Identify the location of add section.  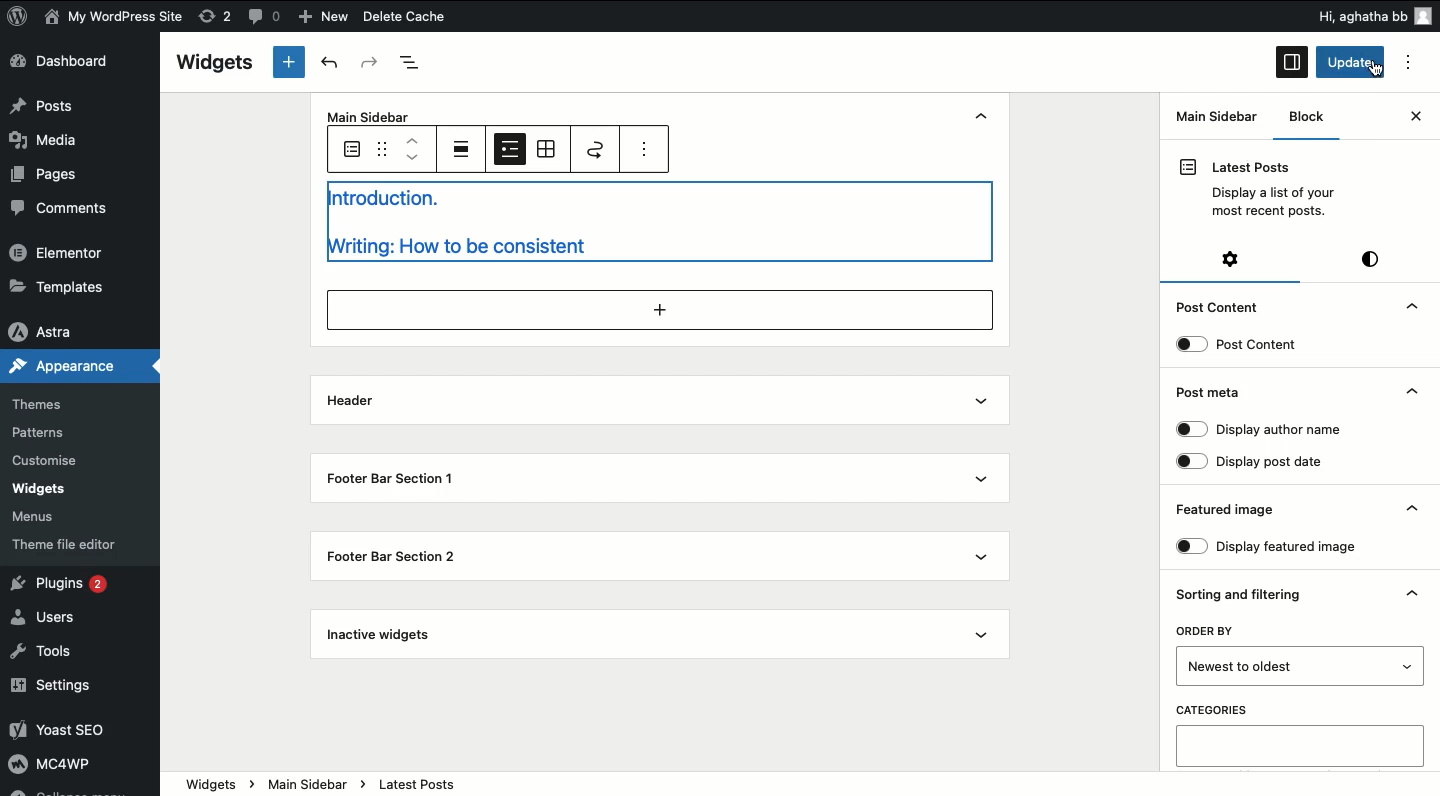
(590, 309).